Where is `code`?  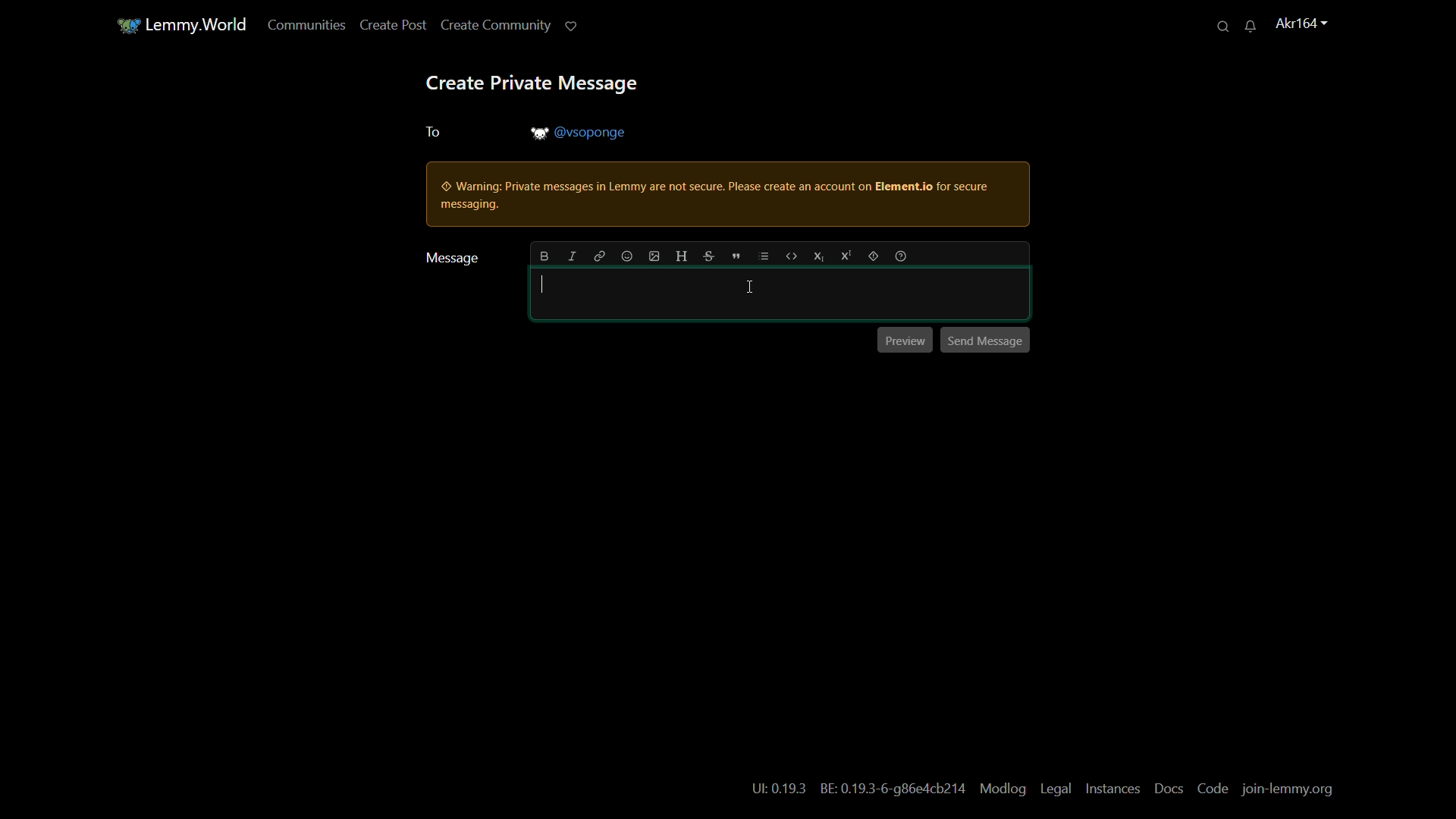
code is located at coordinates (1212, 791).